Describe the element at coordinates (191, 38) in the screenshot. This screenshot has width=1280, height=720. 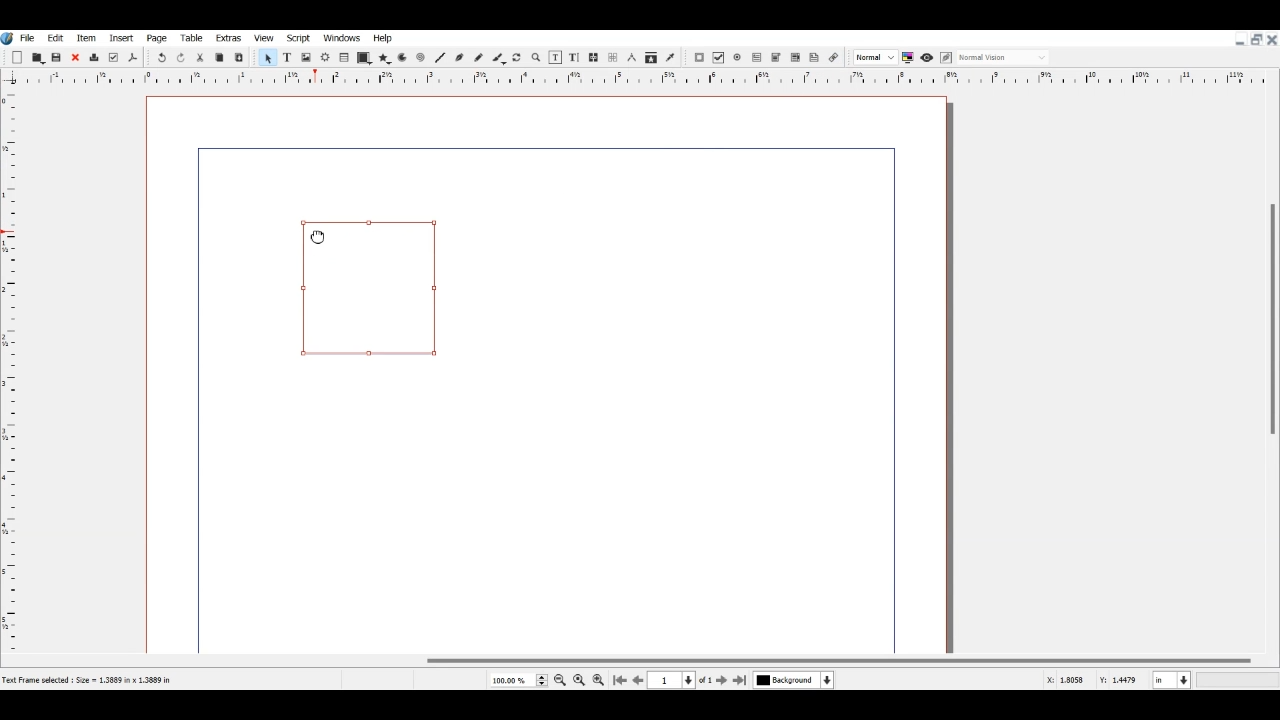
I see `Table` at that location.